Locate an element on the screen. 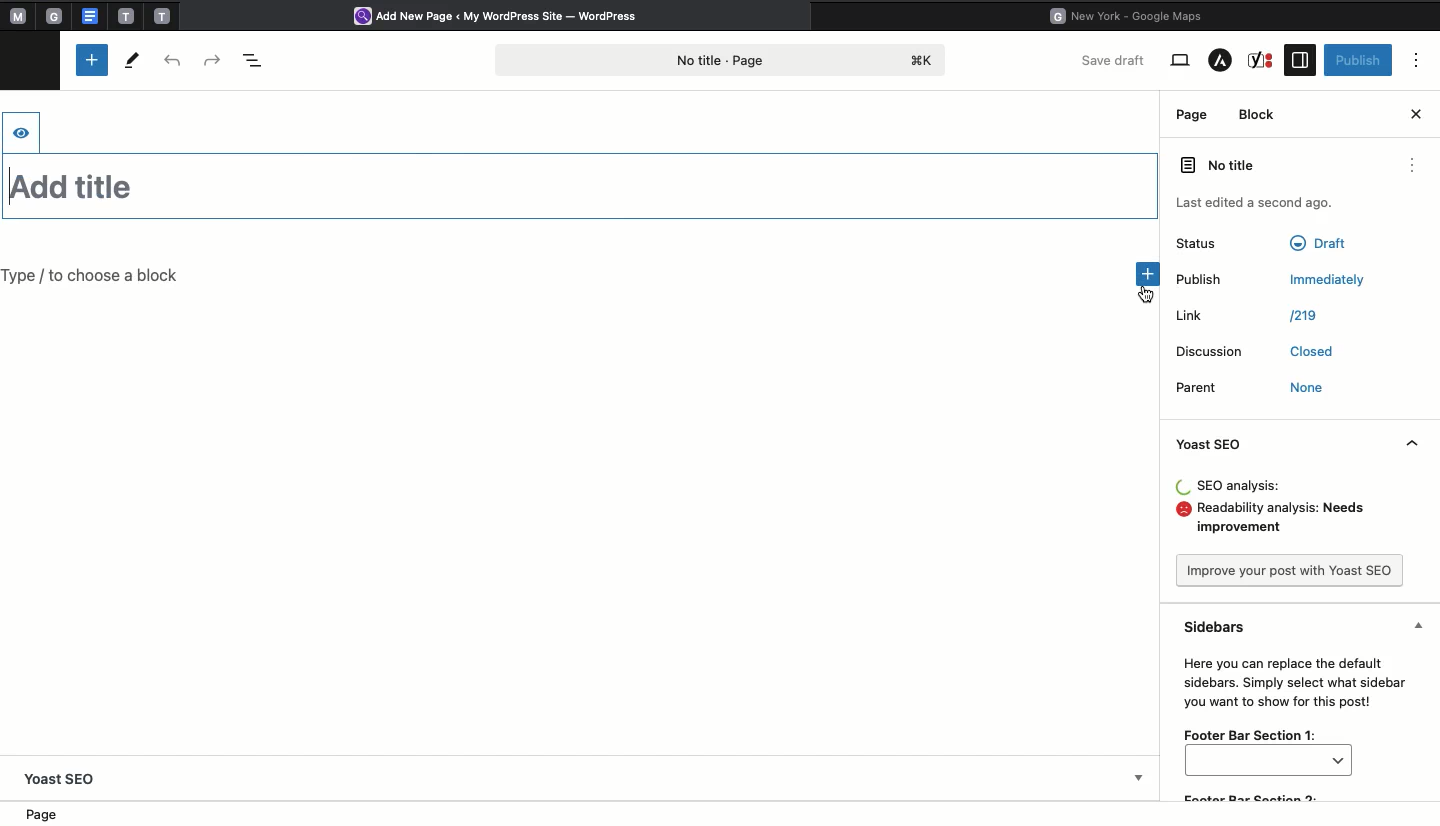 This screenshot has height=826, width=1440. Google maps is located at coordinates (1133, 14).